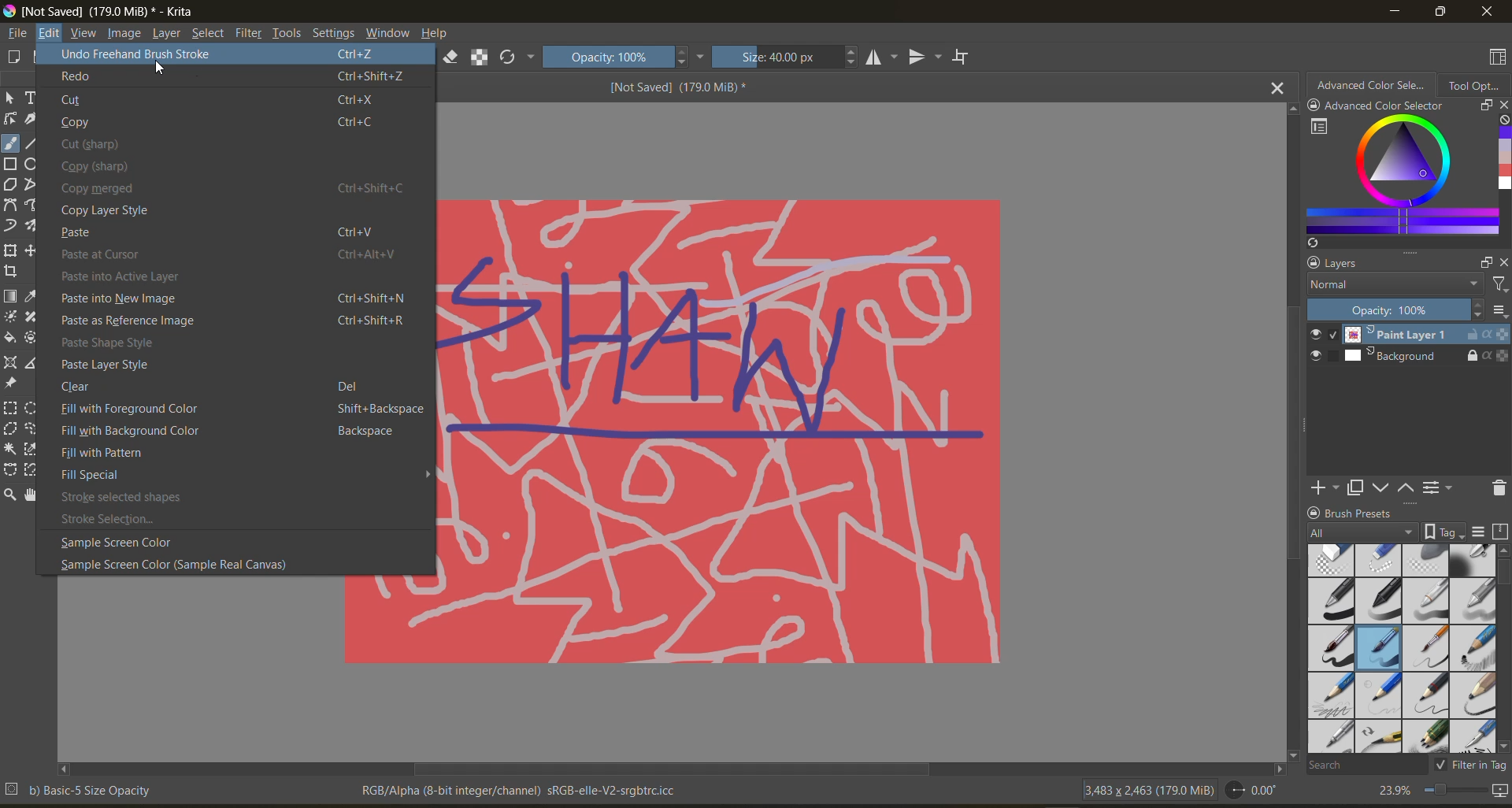 The image size is (1512, 808). I want to click on Size: 40.00 px, so click(787, 57).